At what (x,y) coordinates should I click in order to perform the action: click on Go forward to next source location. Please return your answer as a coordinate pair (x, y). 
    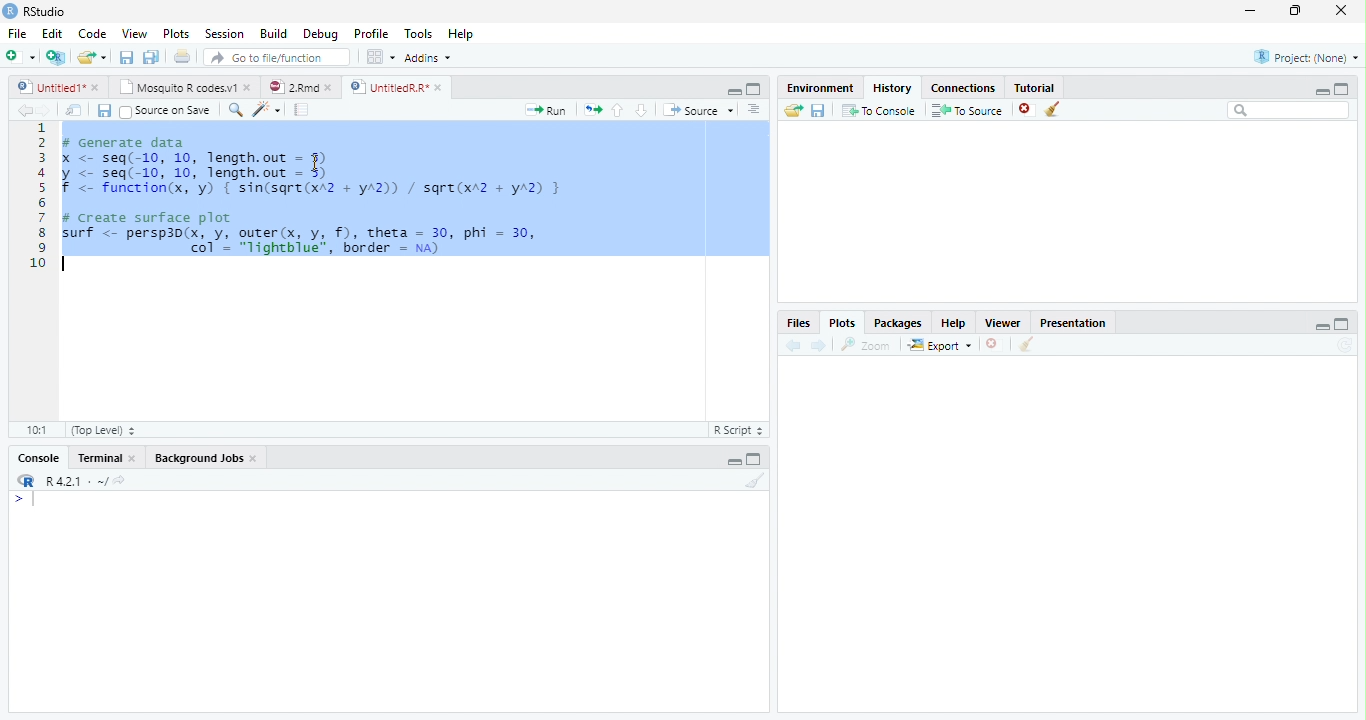
    Looking at the image, I should click on (45, 111).